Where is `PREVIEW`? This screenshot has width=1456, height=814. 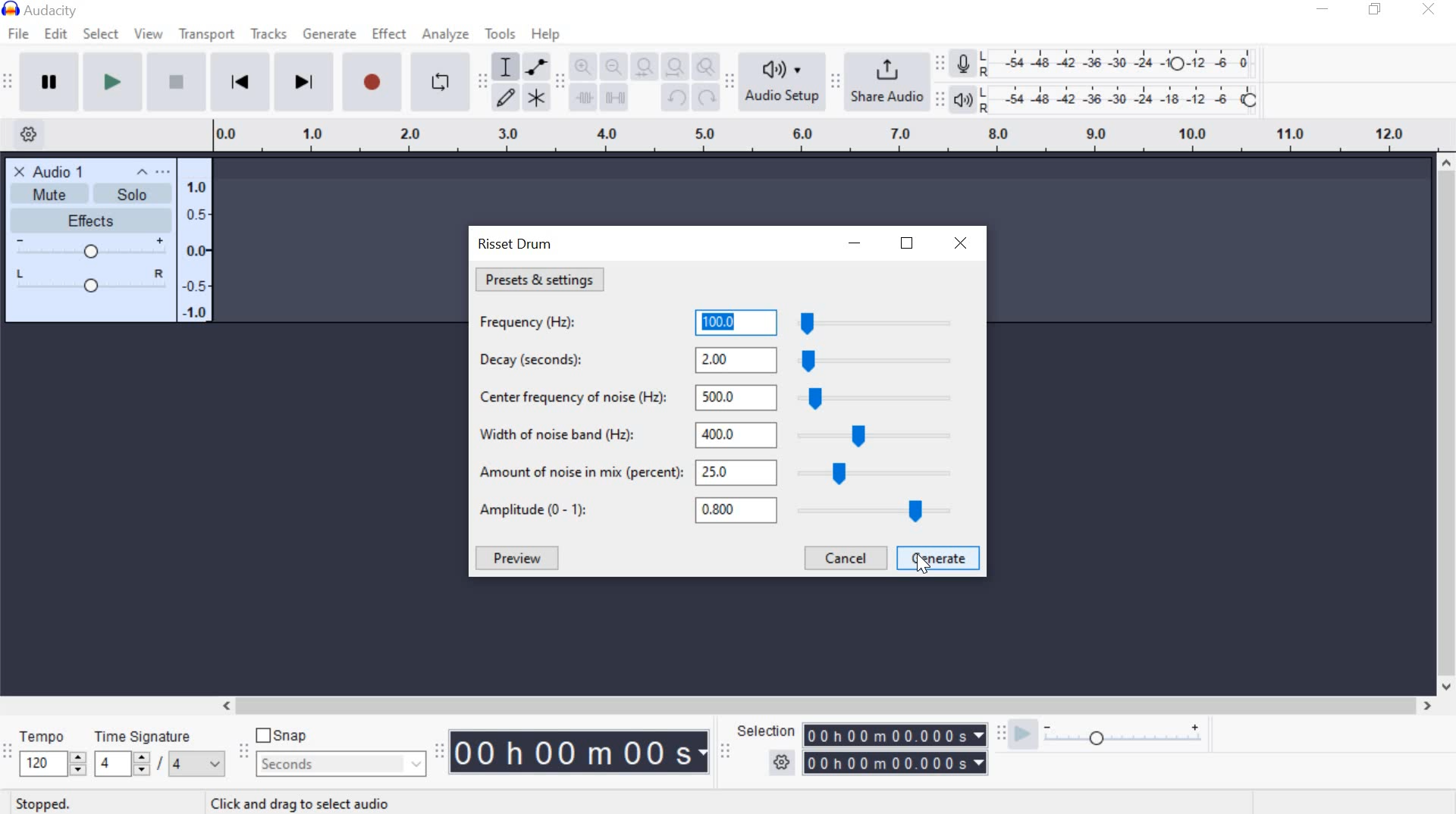 PREVIEW is located at coordinates (519, 559).